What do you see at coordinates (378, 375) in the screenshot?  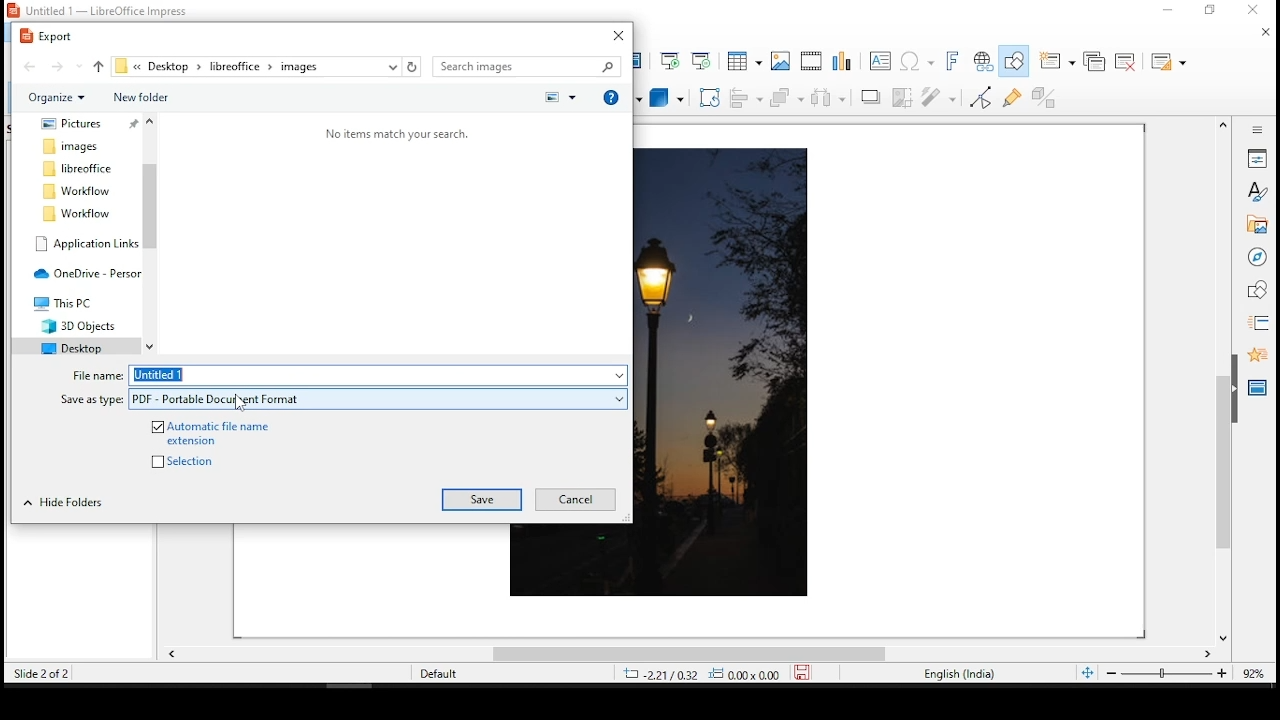 I see `file name` at bounding box center [378, 375].